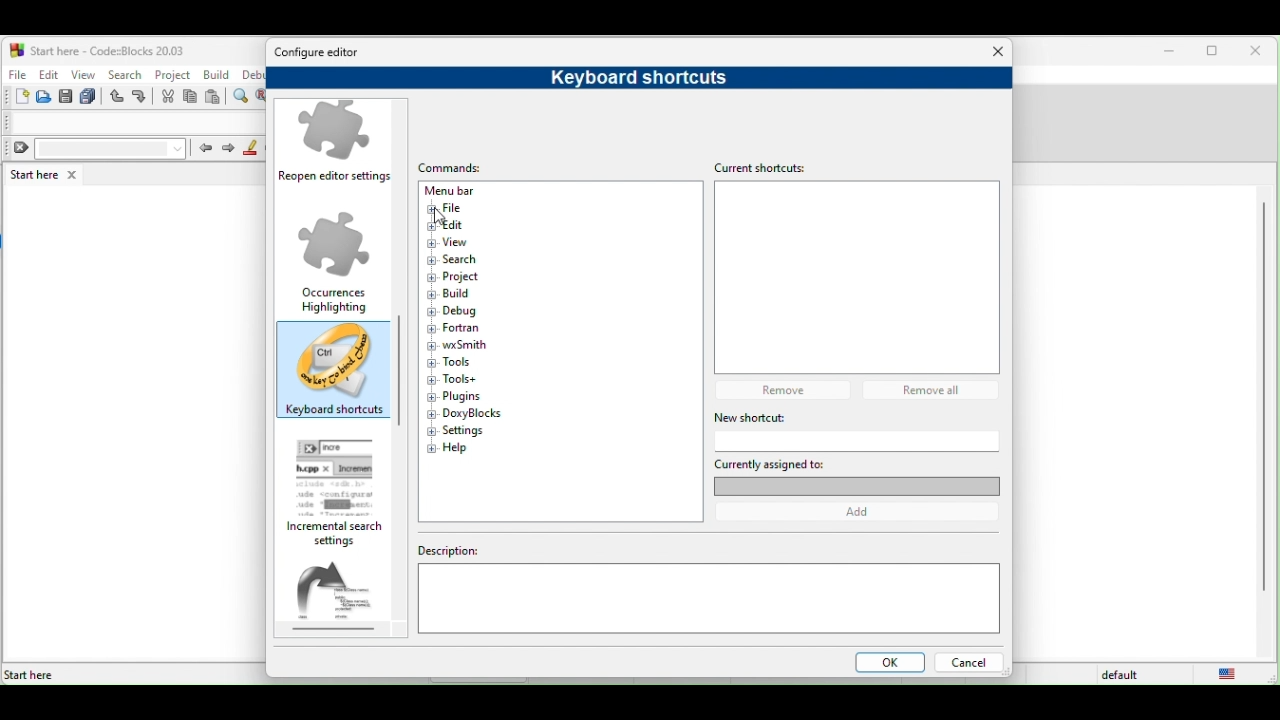 The height and width of the screenshot is (720, 1280). Describe the element at coordinates (470, 162) in the screenshot. I see `commands` at that location.